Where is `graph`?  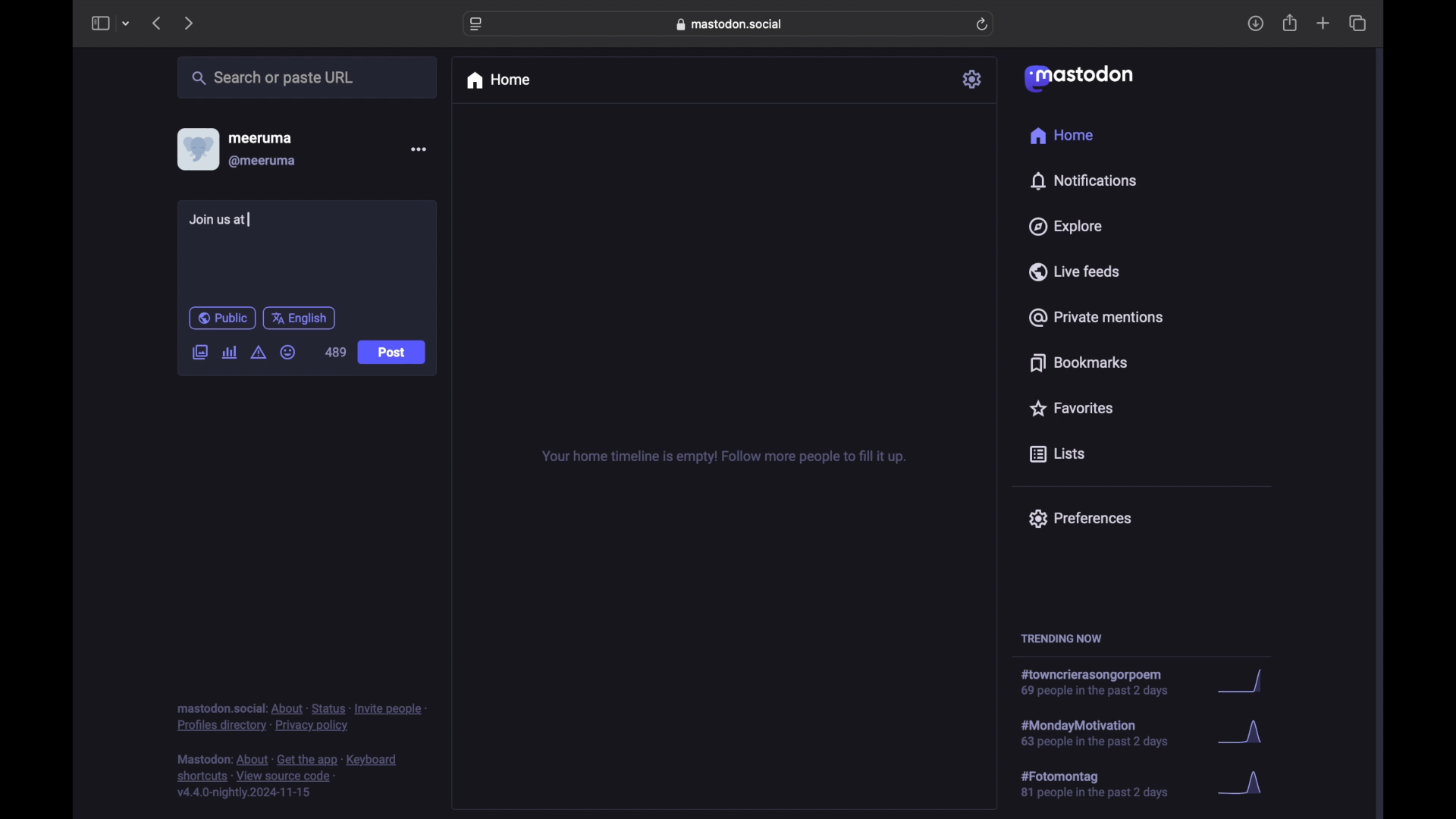 graph is located at coordinates (1244, 682).